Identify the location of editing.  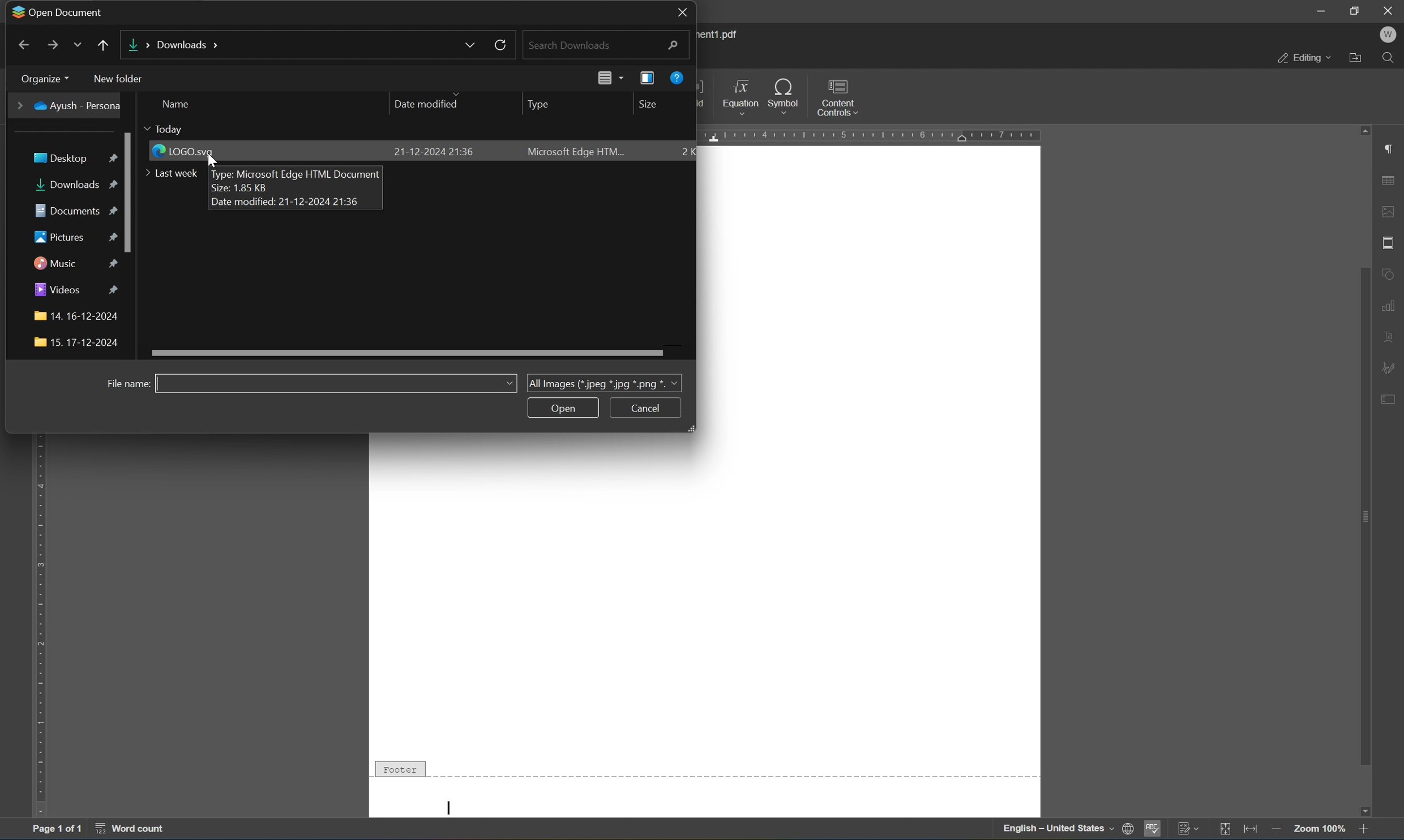
(1304, 57).